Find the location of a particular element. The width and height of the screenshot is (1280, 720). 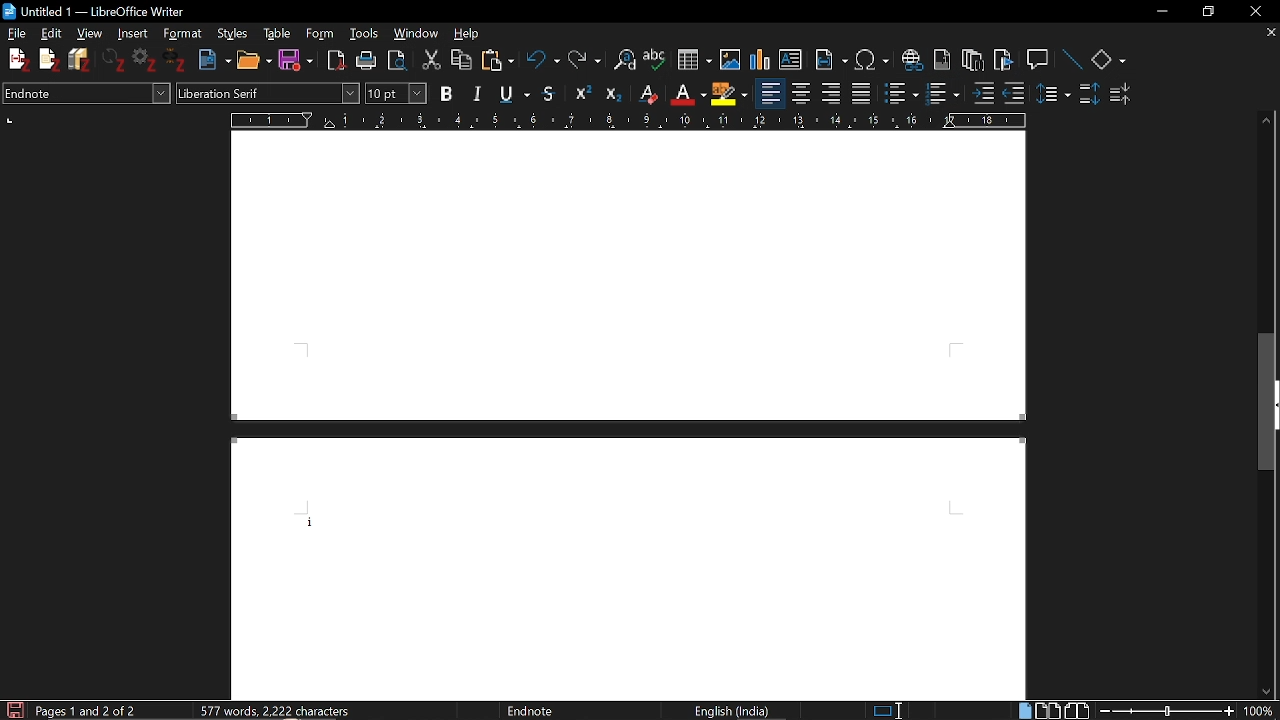

PAste is located at coordinates (498, 62).